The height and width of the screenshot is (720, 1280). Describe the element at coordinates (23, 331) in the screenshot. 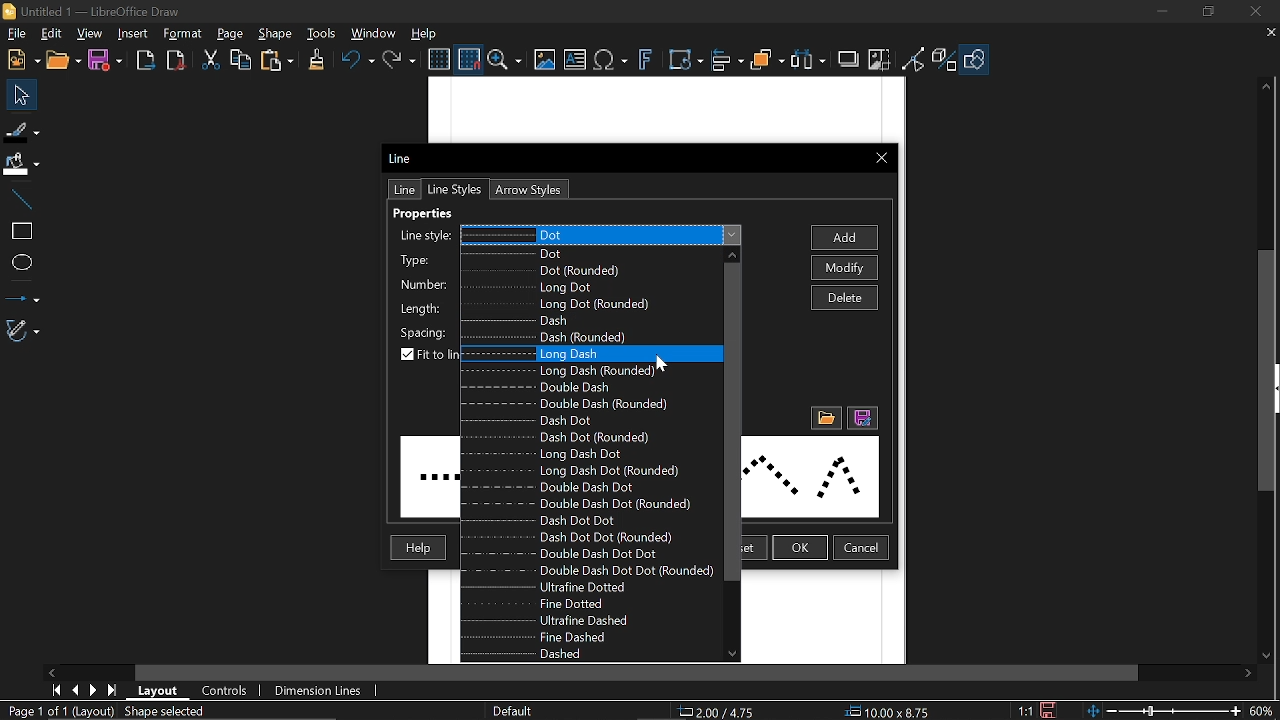

I see `Curves and polygons` at that location.